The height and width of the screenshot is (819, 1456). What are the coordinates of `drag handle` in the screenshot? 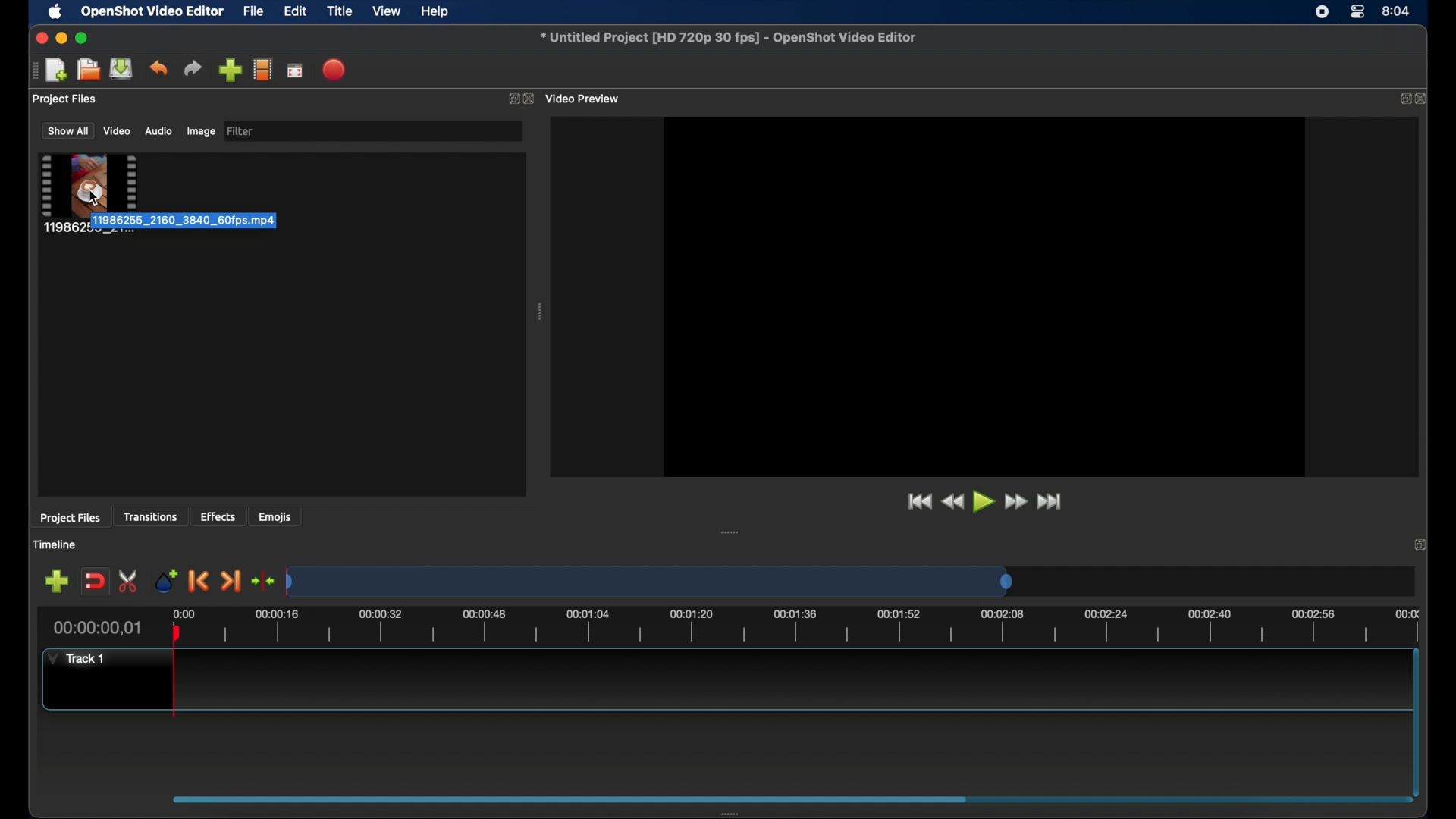 It's located at (739, 811).